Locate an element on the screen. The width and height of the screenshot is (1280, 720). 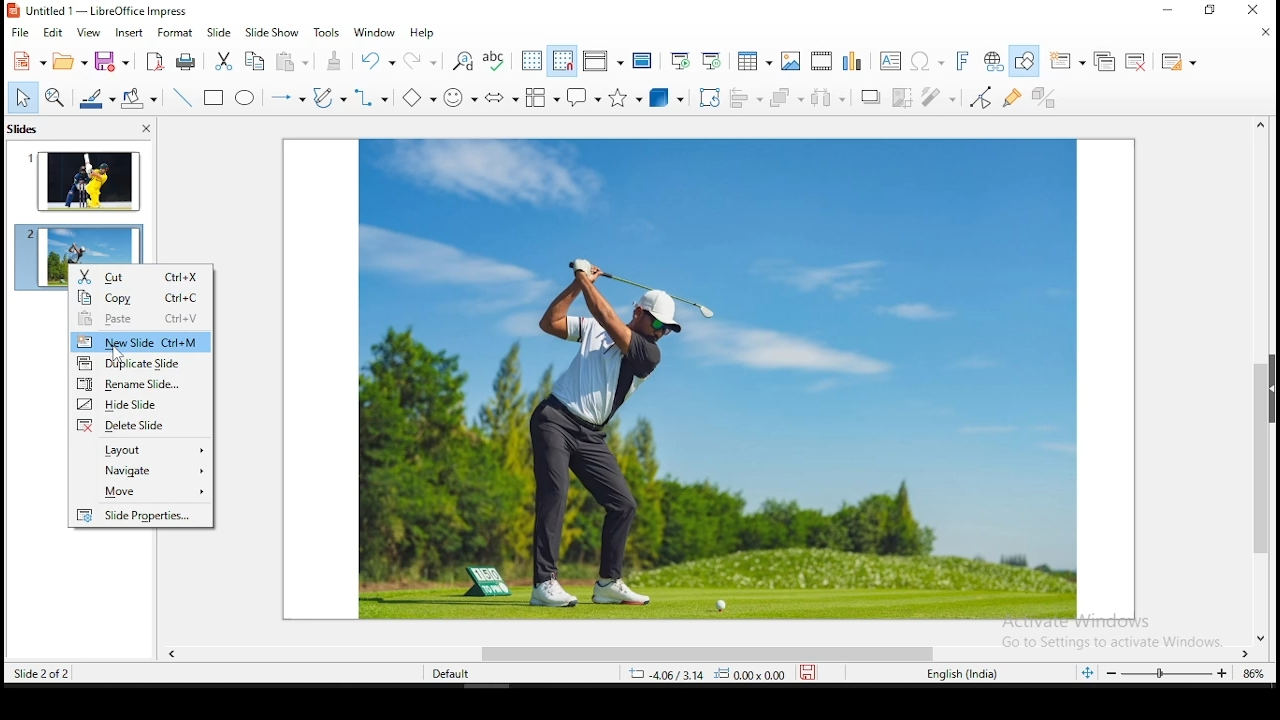
new  is located at coordinates (30, 60).